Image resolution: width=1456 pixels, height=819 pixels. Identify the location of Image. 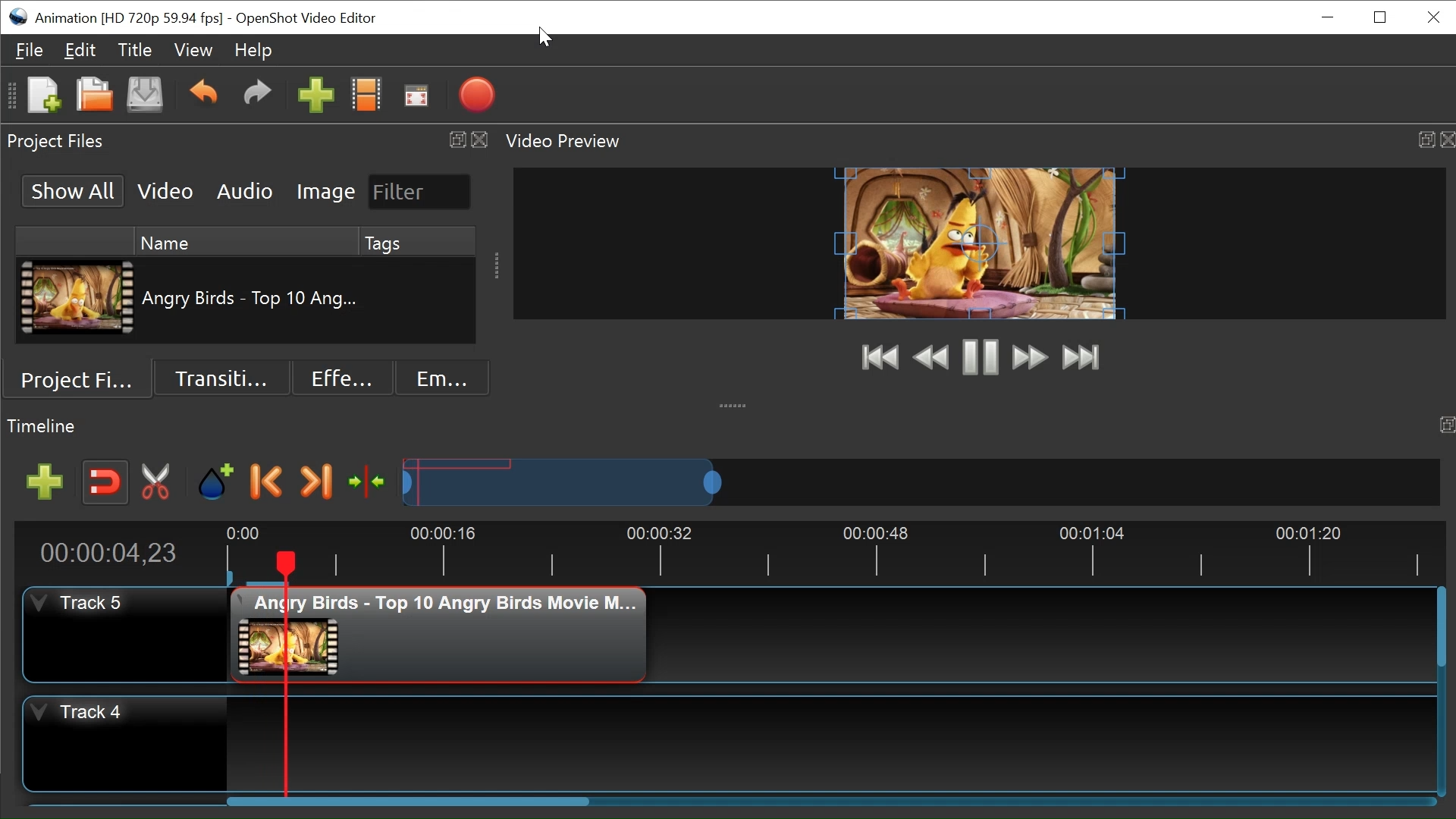
(327, 191).